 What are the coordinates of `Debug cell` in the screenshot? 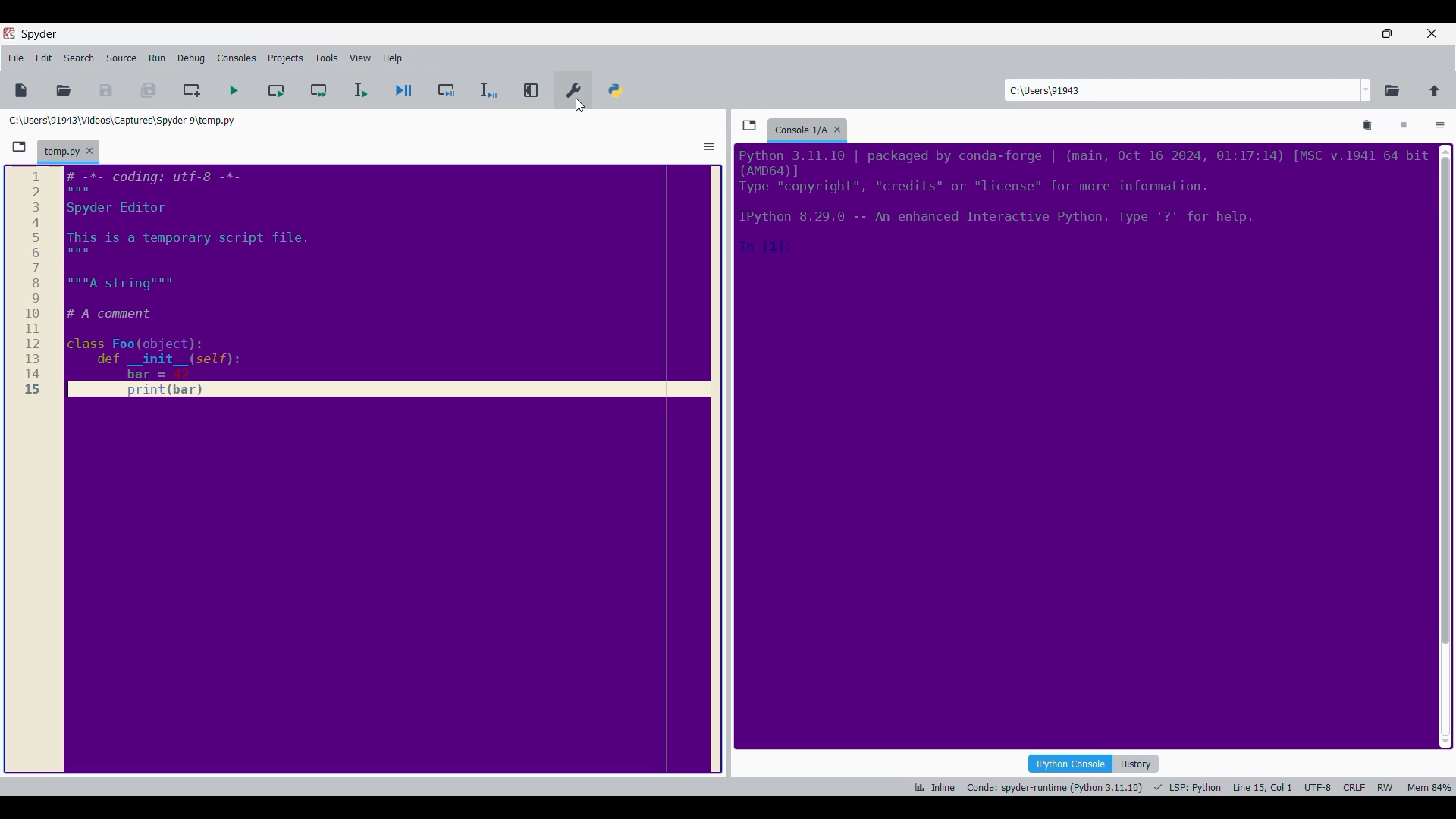 It's located at (447, 90).